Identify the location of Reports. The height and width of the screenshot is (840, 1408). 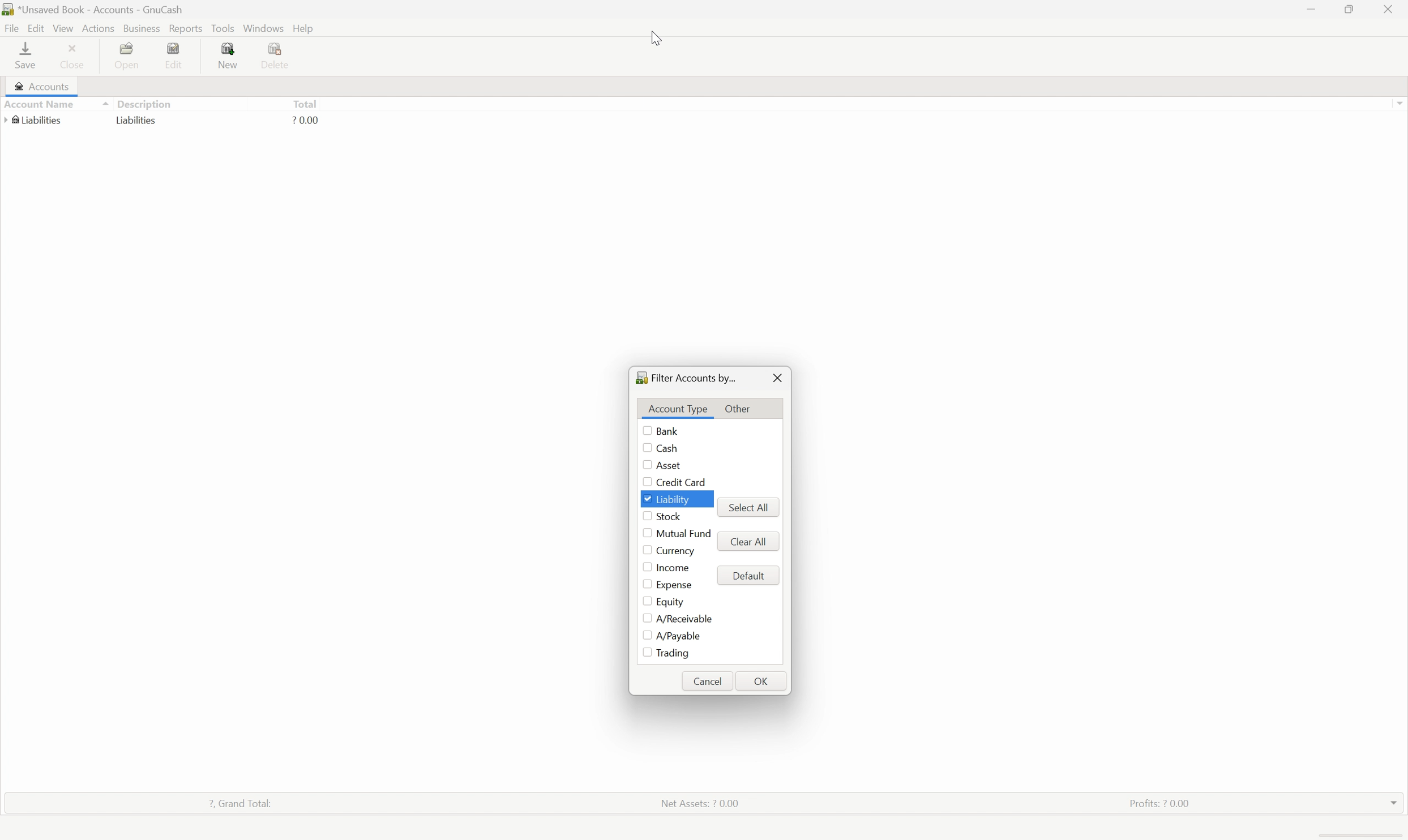
(184, 28).